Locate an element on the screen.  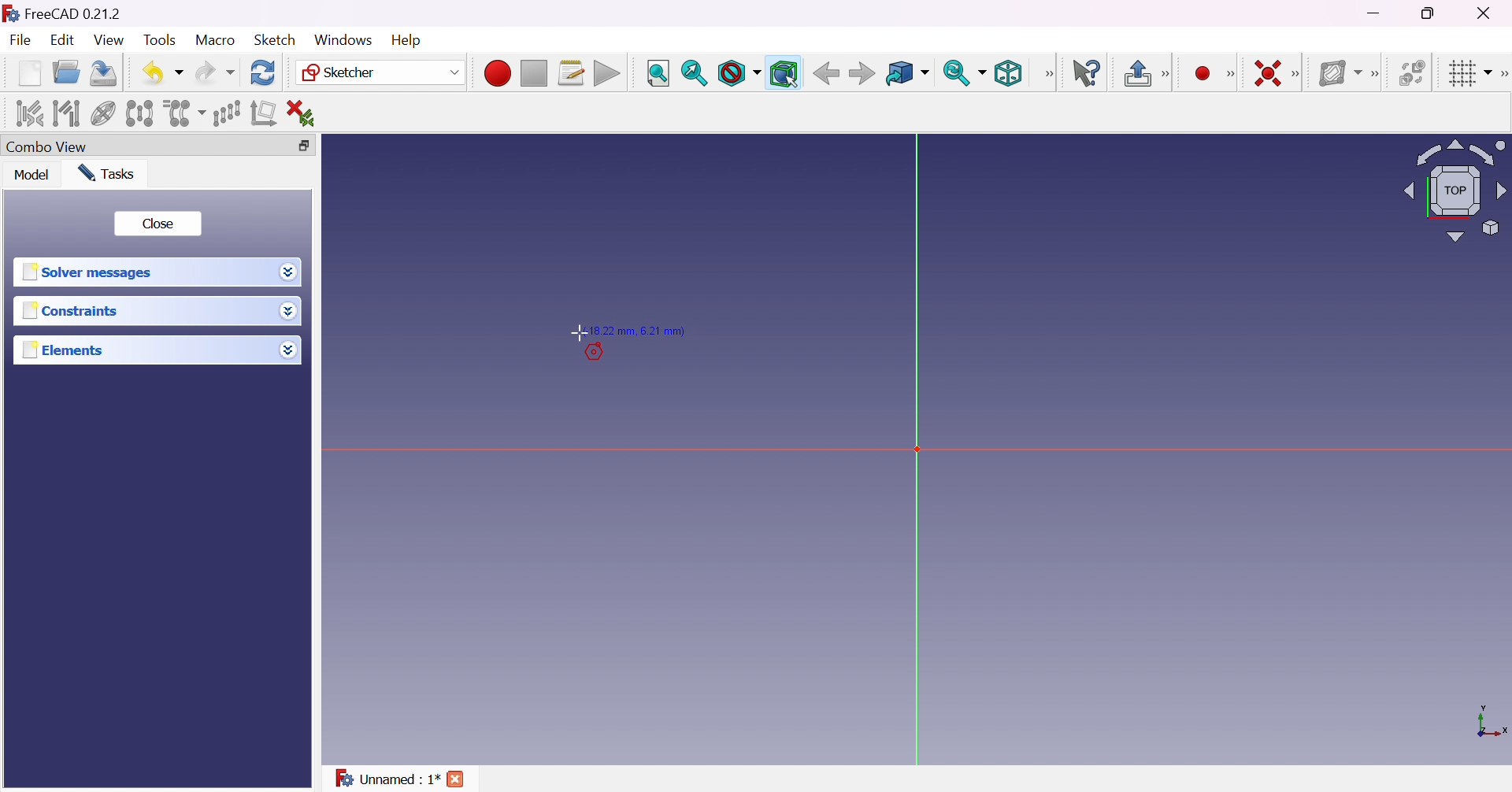
Symmetry is located at coordinates (140, 113).